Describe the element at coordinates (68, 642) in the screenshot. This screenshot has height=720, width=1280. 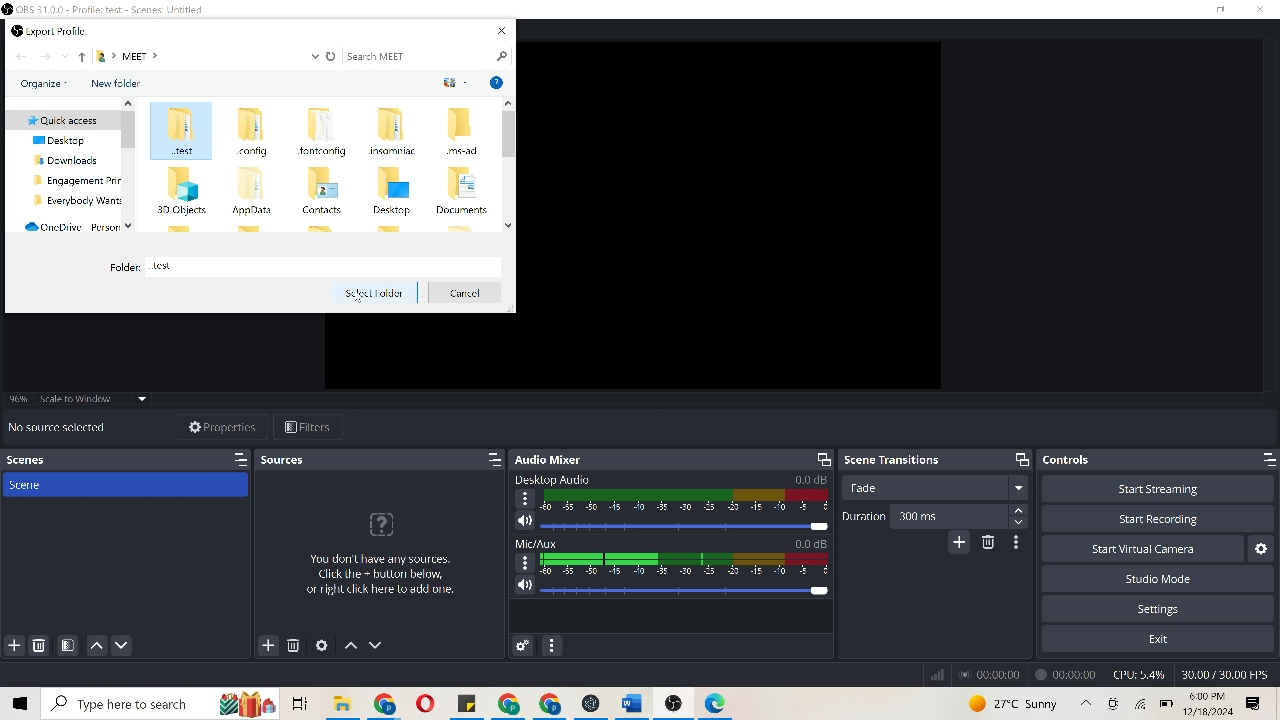
I see `open scene filters` at that location.